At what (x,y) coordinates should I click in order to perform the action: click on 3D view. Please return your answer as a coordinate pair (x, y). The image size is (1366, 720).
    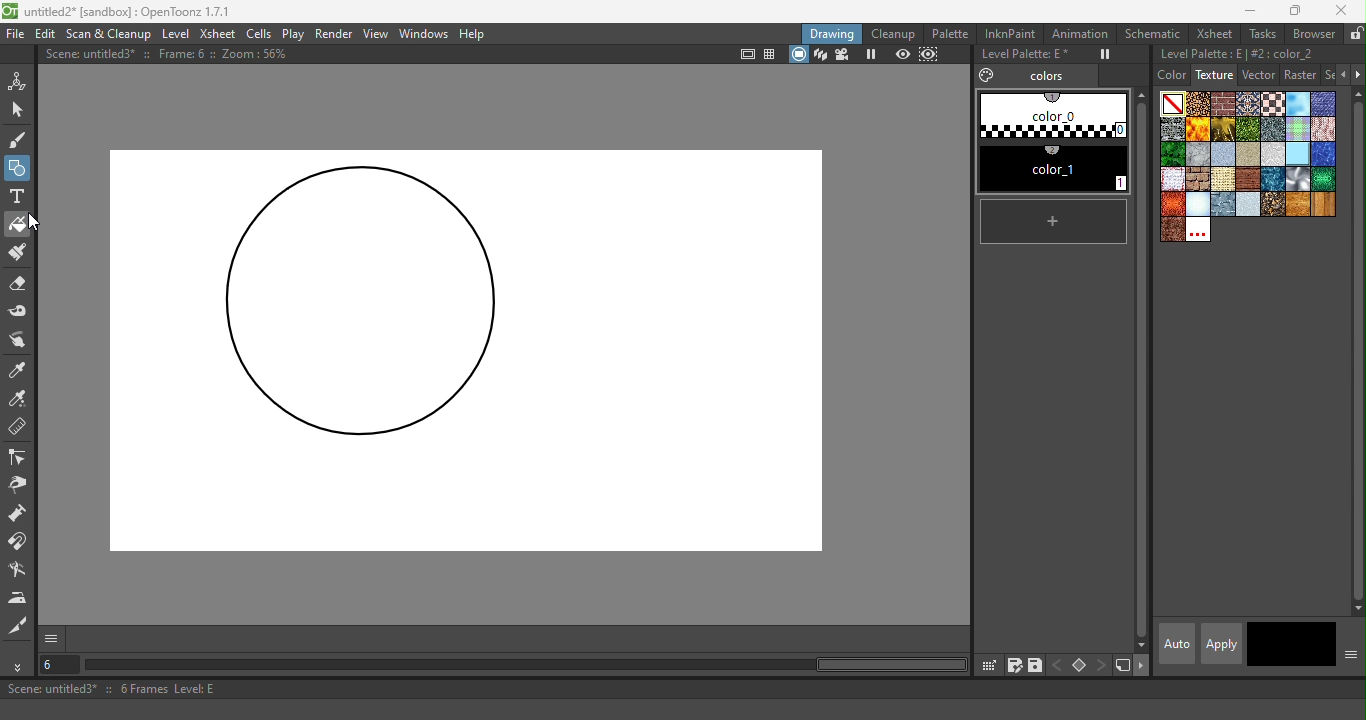
    Looking at the image, I should click on (820, 54).